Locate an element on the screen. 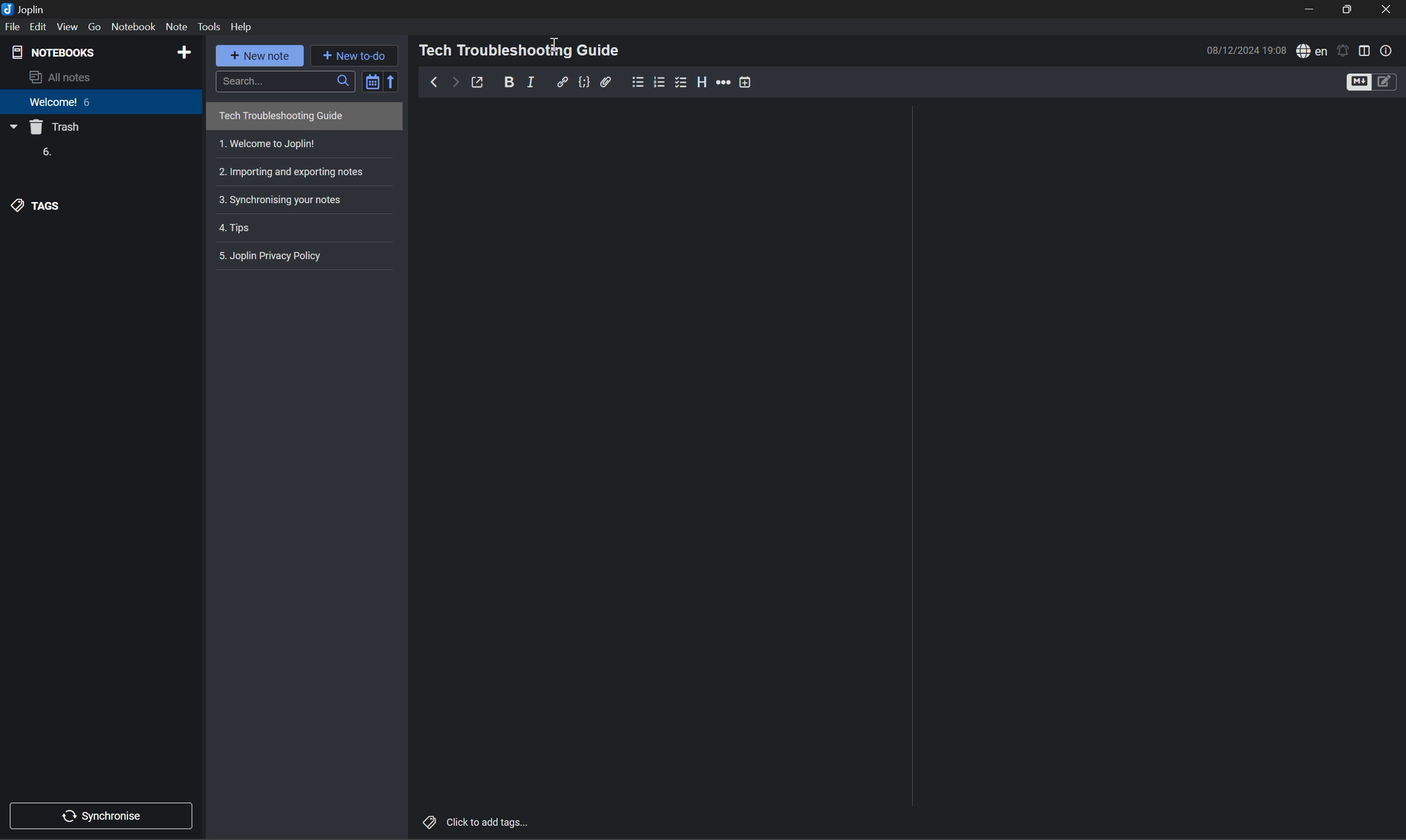  Code block is located at coordinates (584, 82).